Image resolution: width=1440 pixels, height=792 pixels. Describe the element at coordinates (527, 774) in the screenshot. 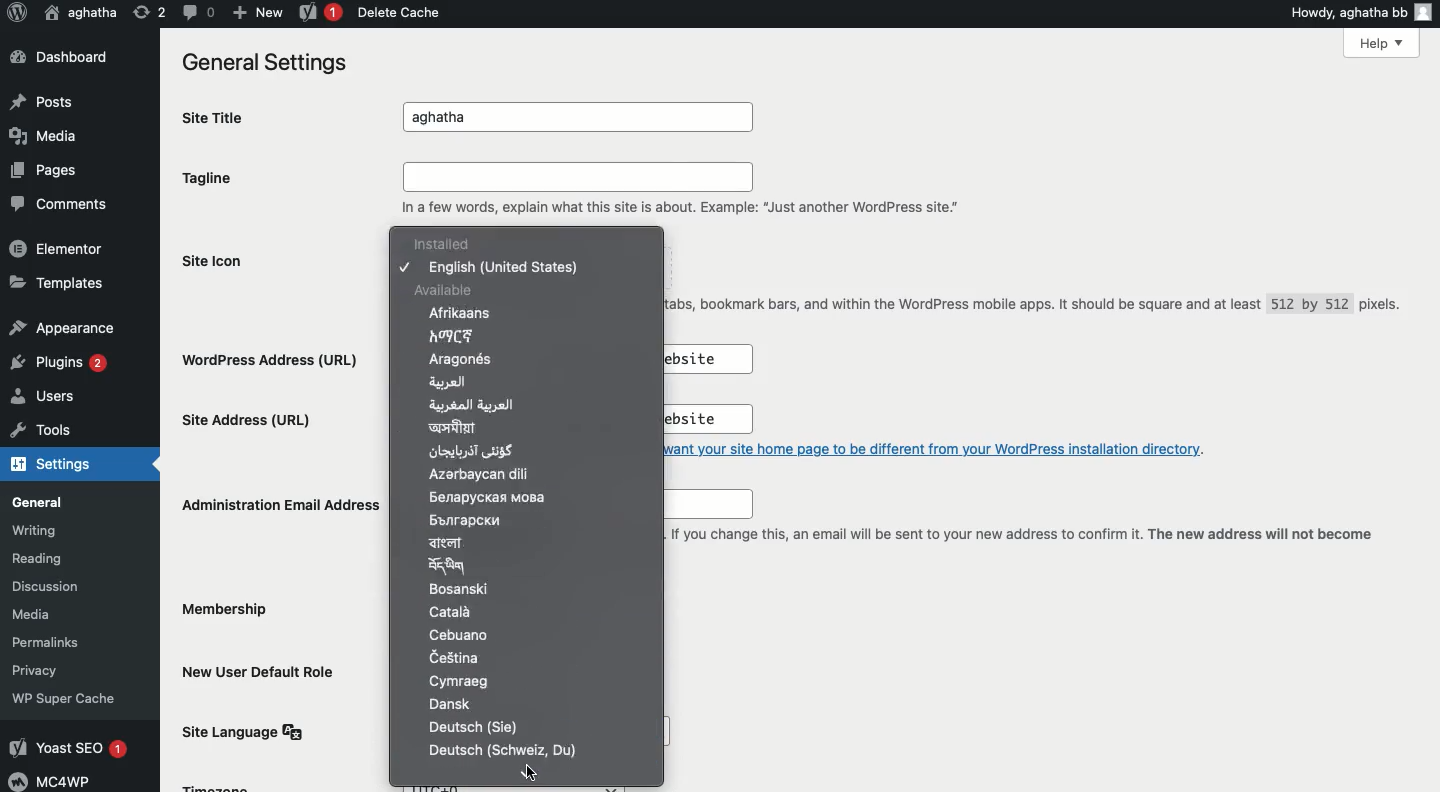

I see `Cursor` at that location.